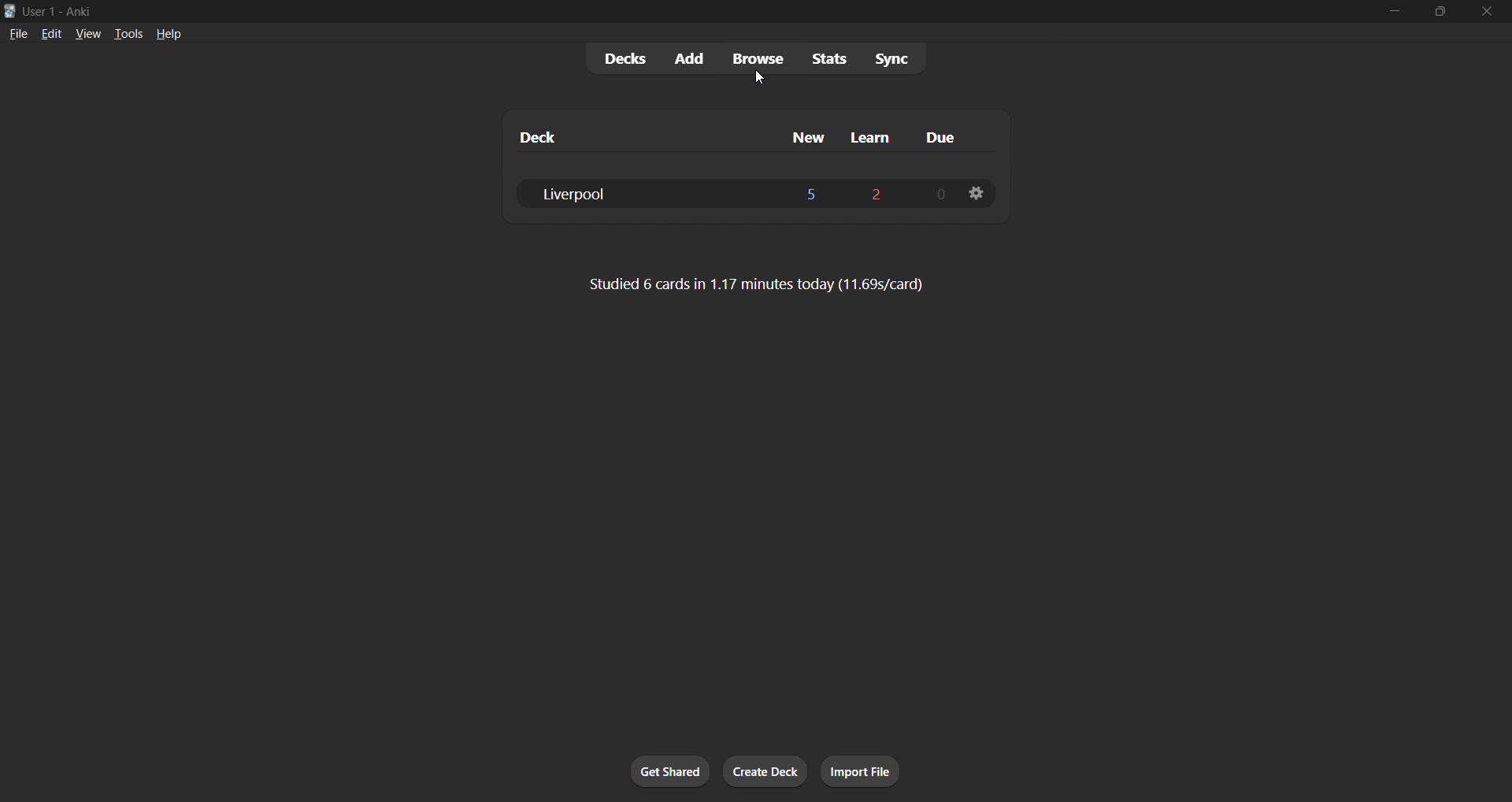  I want to click on tools, so click(127, 35).